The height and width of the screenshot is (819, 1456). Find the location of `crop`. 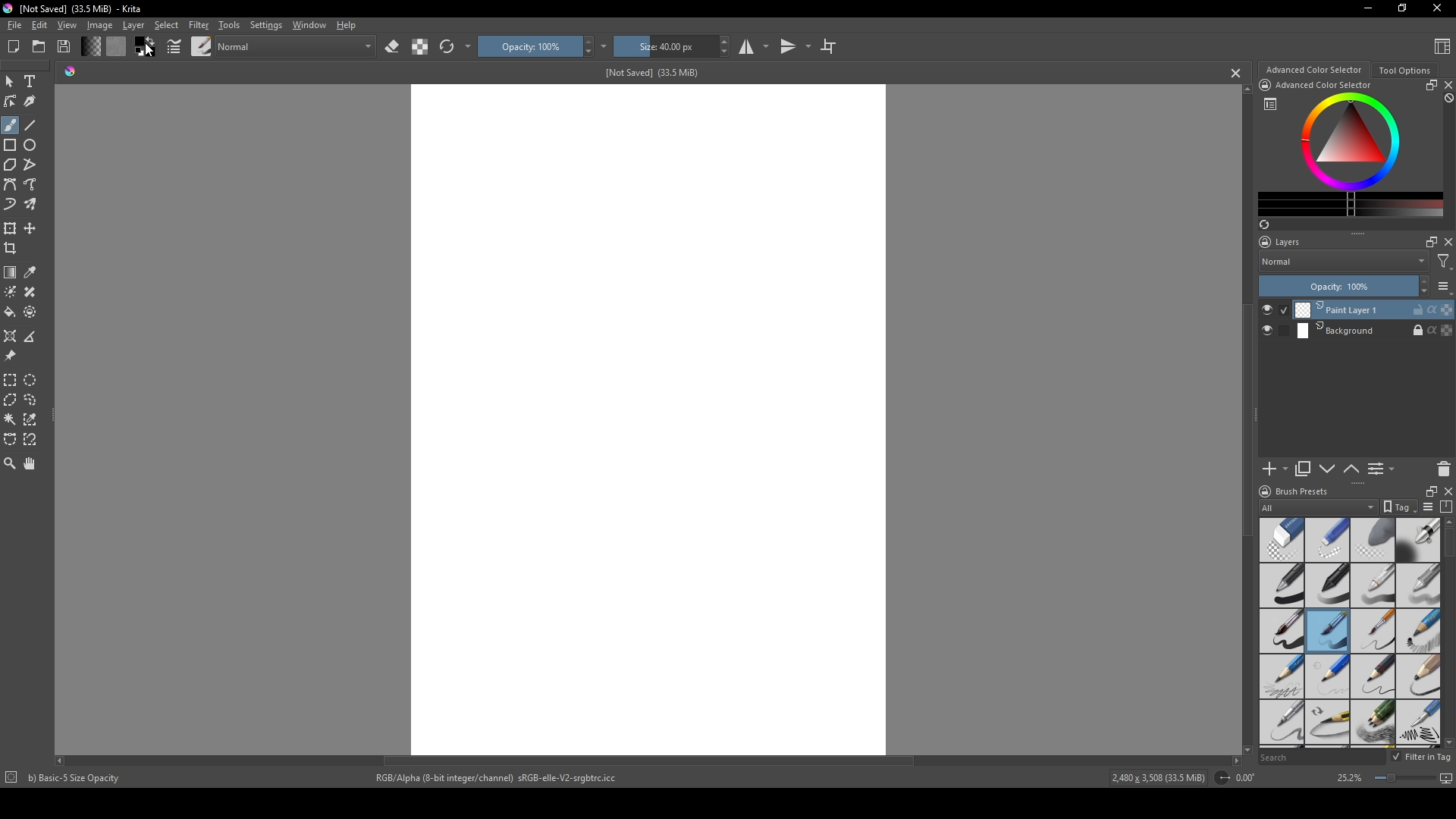

crop is located at coordinates (828, 45).